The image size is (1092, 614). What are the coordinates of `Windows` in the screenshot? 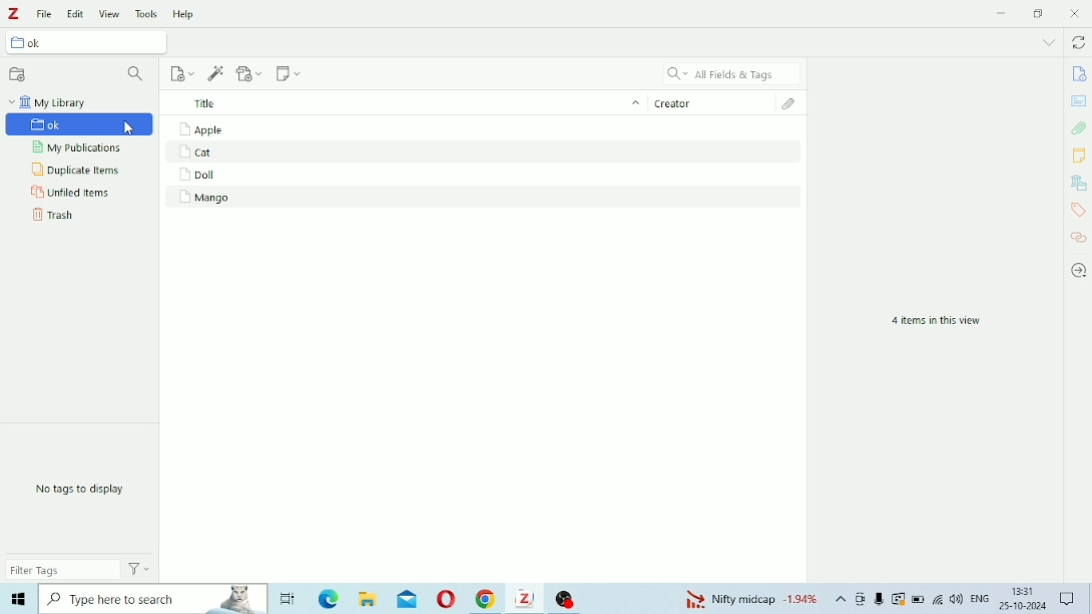 It's located at (18, 599).